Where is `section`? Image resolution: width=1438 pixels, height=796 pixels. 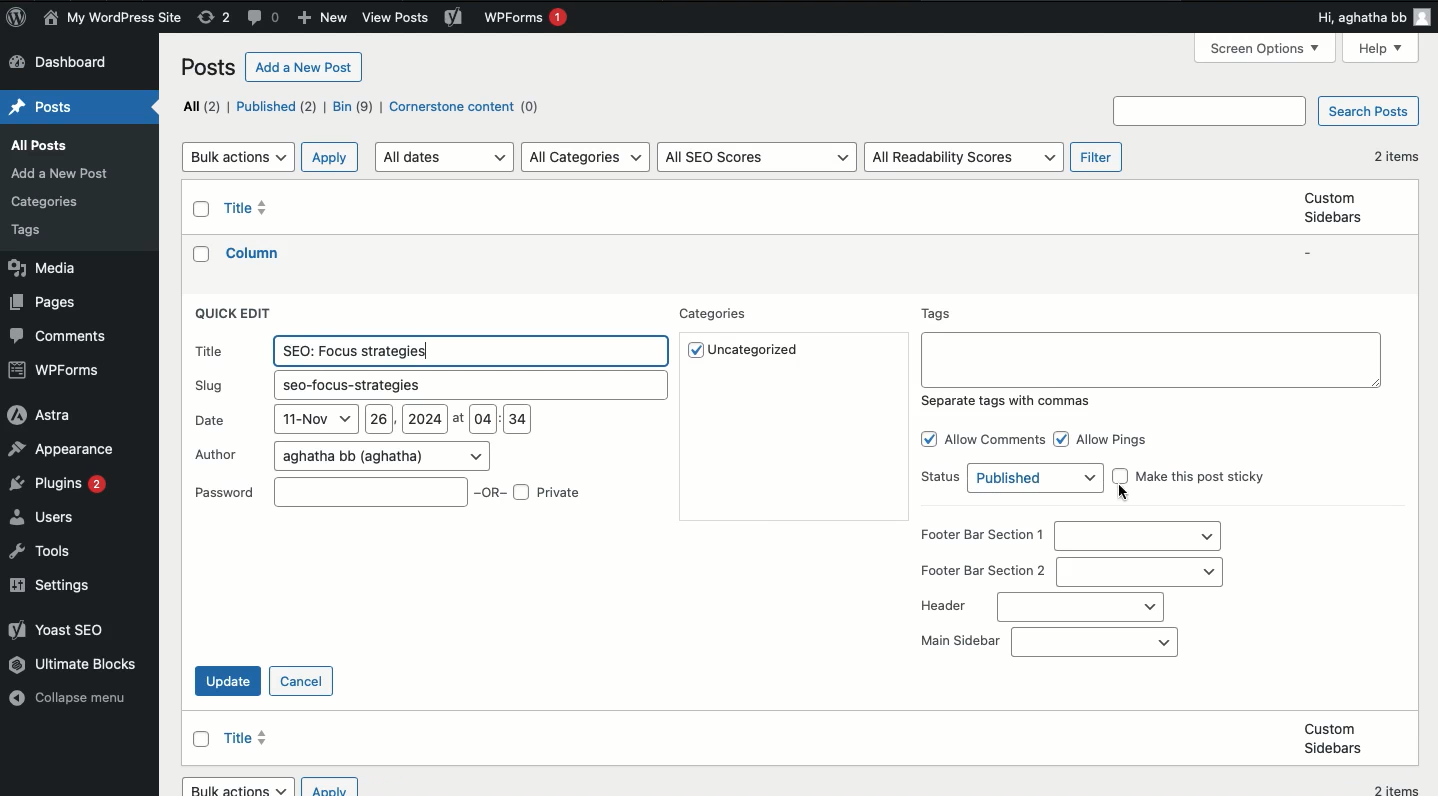 section is located at coordinates (1137, 537).